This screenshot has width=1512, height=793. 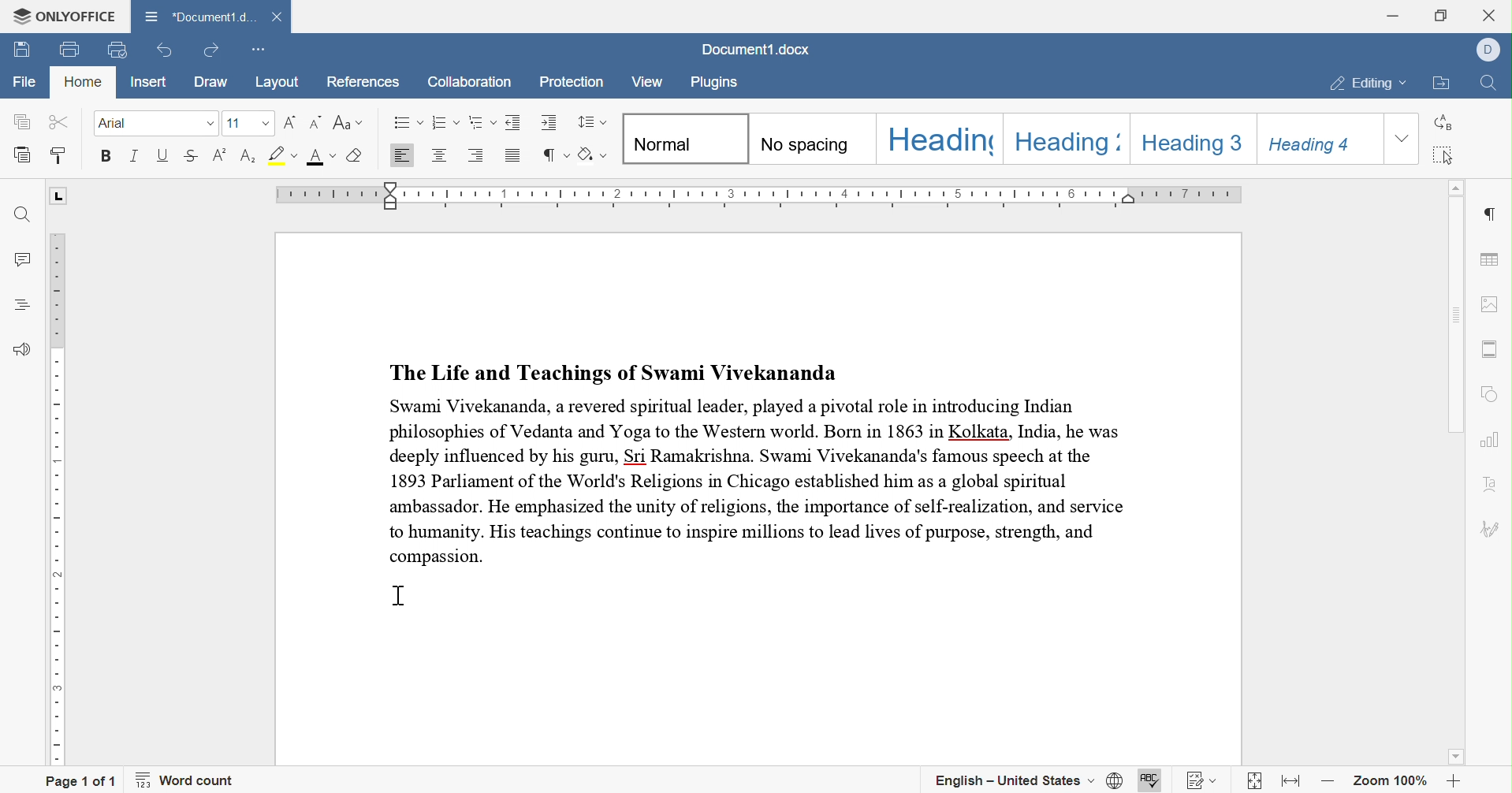 I want to click on select all, so click(x=1443, y=156).